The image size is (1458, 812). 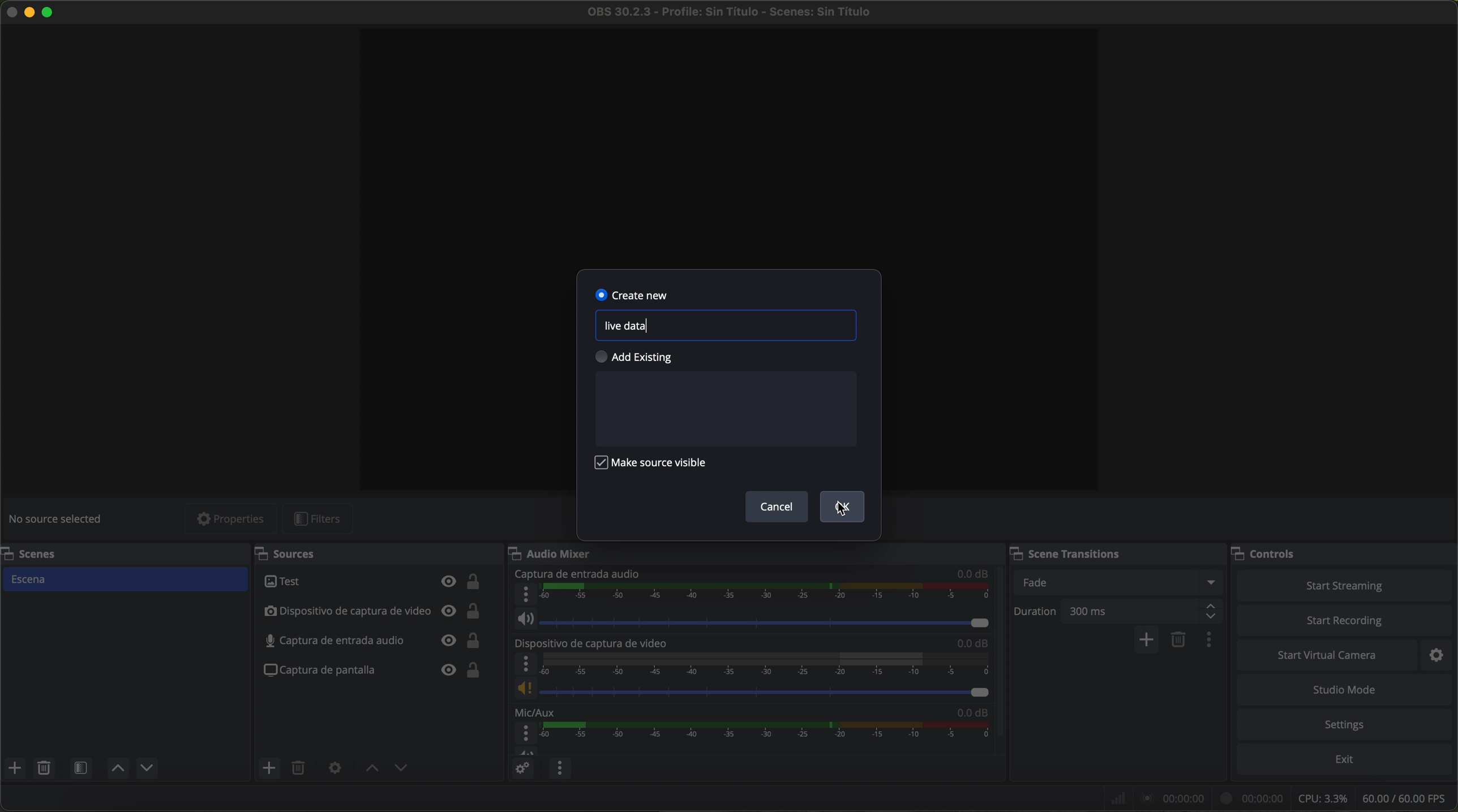 I want to click on remove selected scene, so click(x=1179, y=641).